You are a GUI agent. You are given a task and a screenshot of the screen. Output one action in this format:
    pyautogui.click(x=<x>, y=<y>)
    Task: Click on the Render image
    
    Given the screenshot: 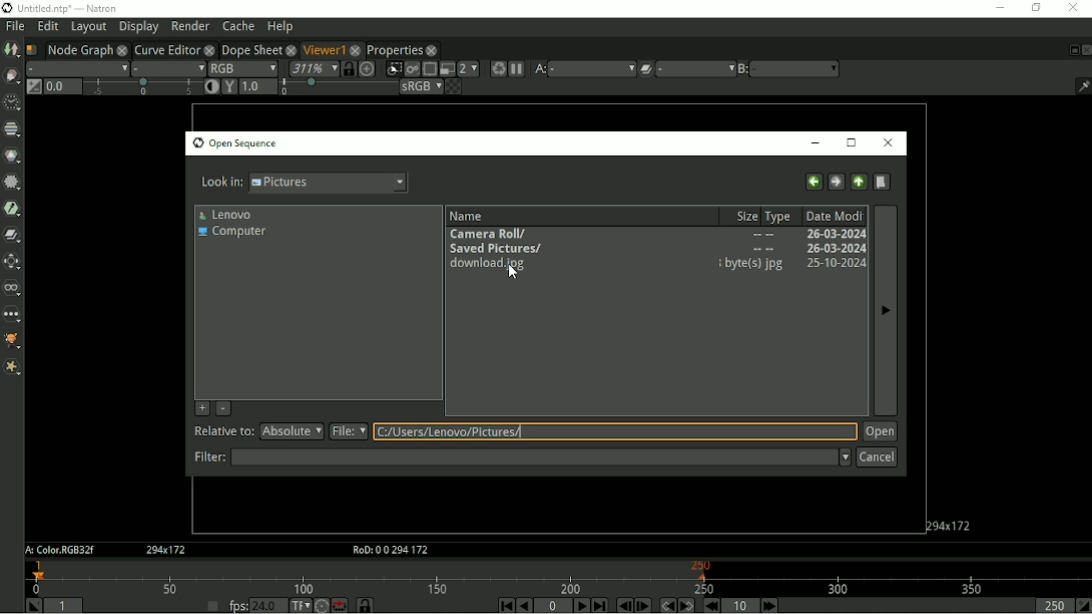 What is the action you would take?
    pyautogui.click(x=411, y=69)
    